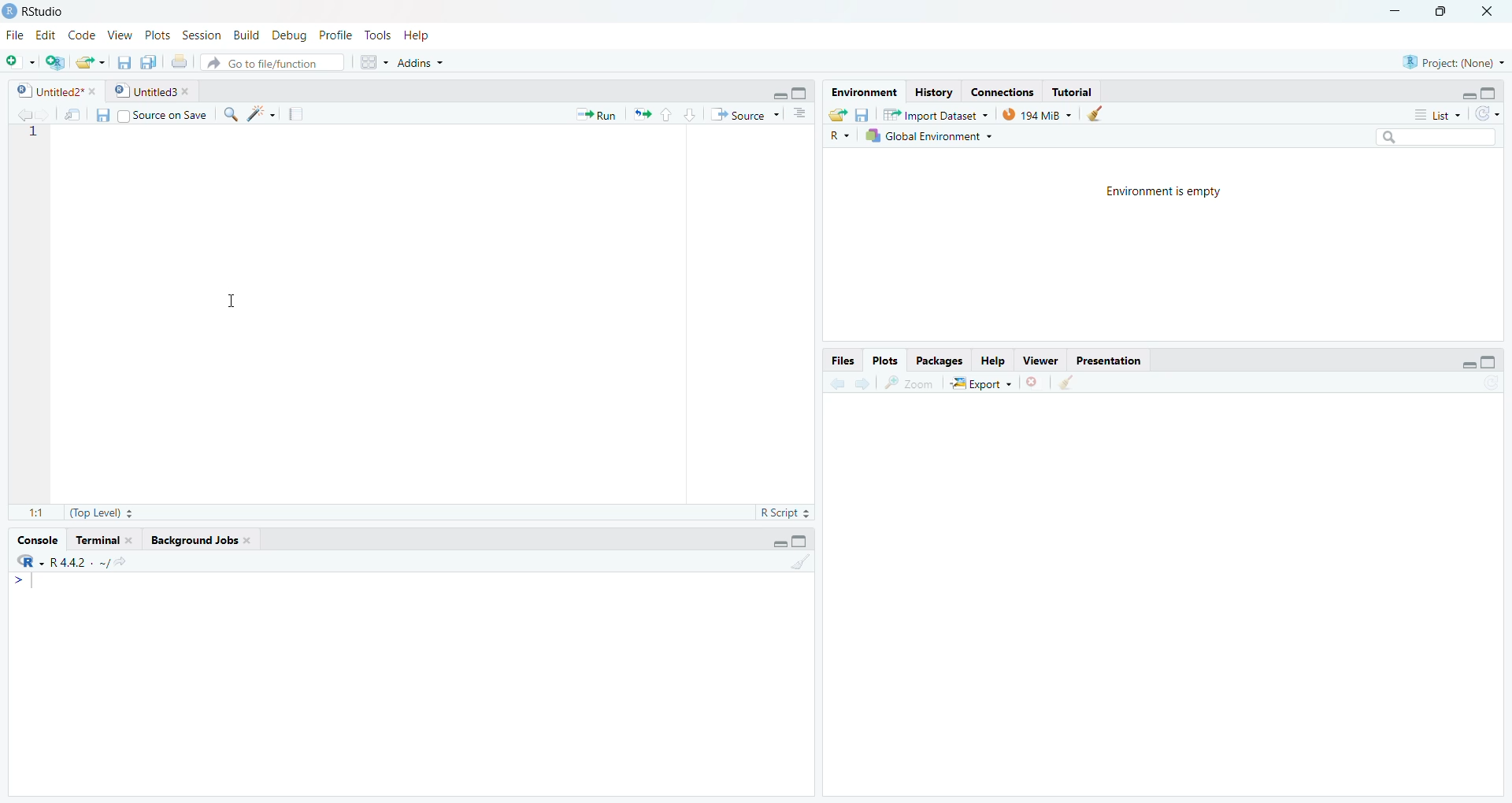 This screenshot has height=803, width=1512. I want to click on Maximize, so click(802, 540).